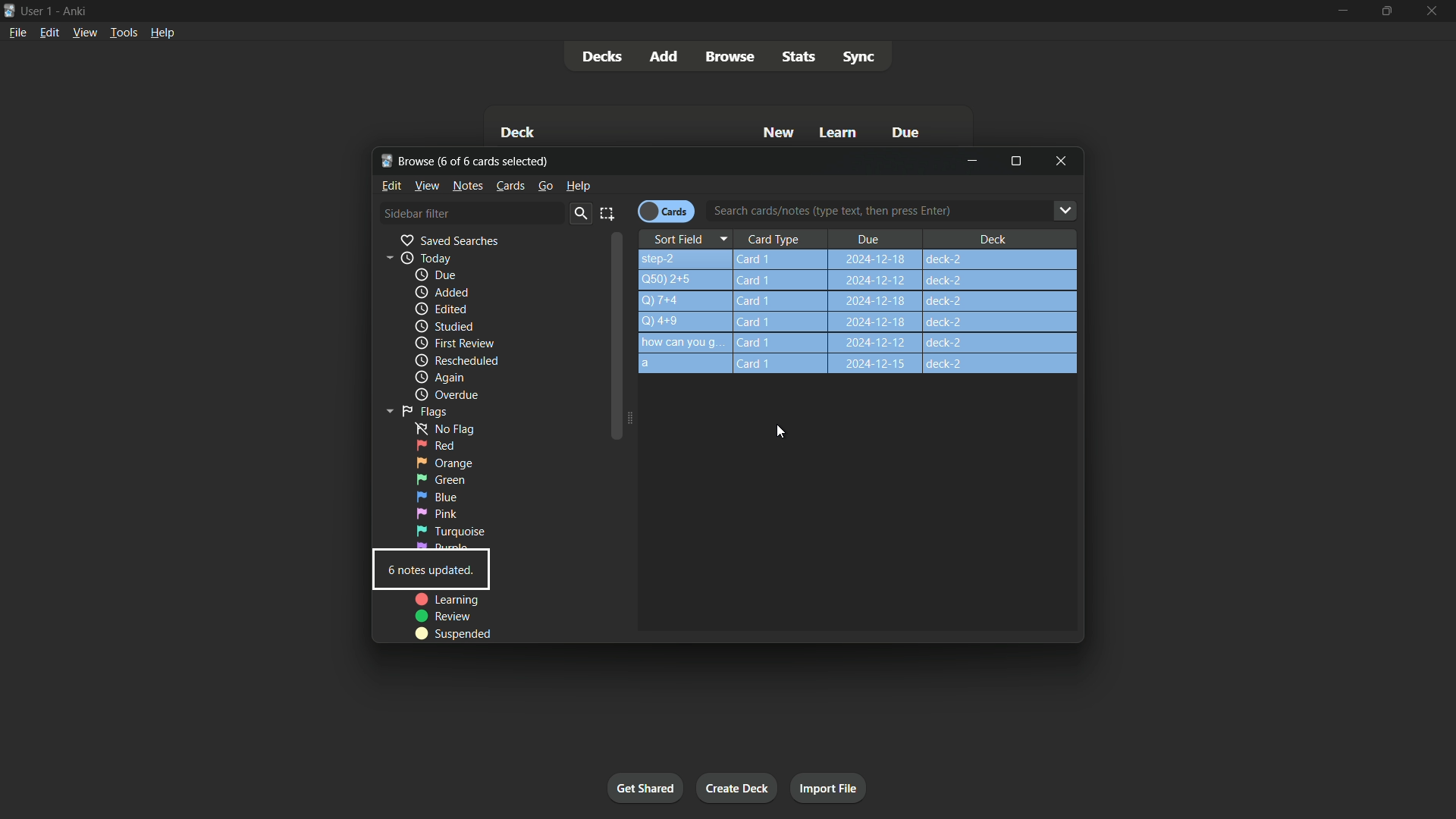 This screenshot has width=1456, height=819. What do you see at coordinates (444, 327) in the screenshot?
I see `Studied` at bounding box center [444, 327].